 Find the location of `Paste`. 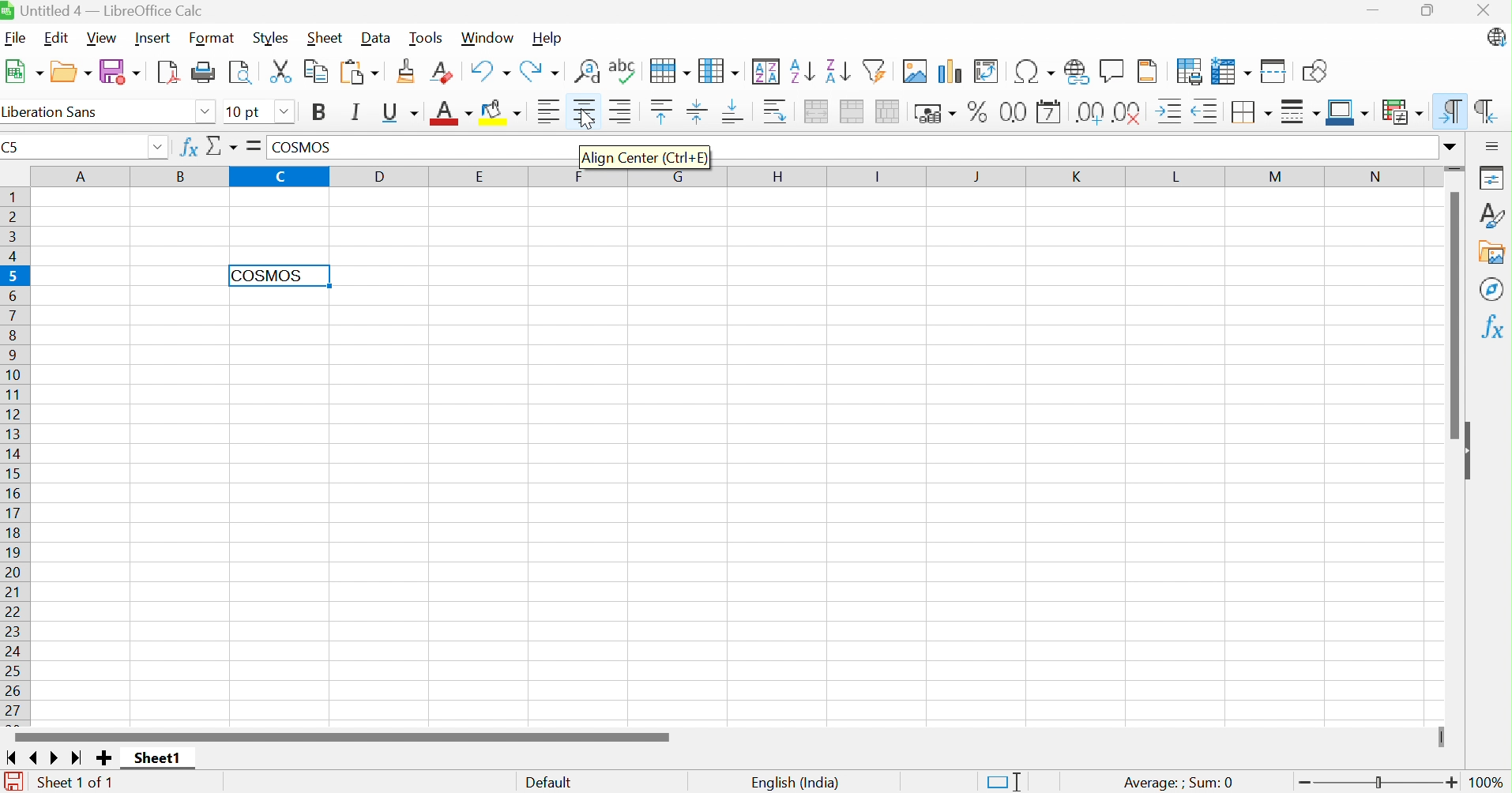

Paste is located at coordinates (358, 73).